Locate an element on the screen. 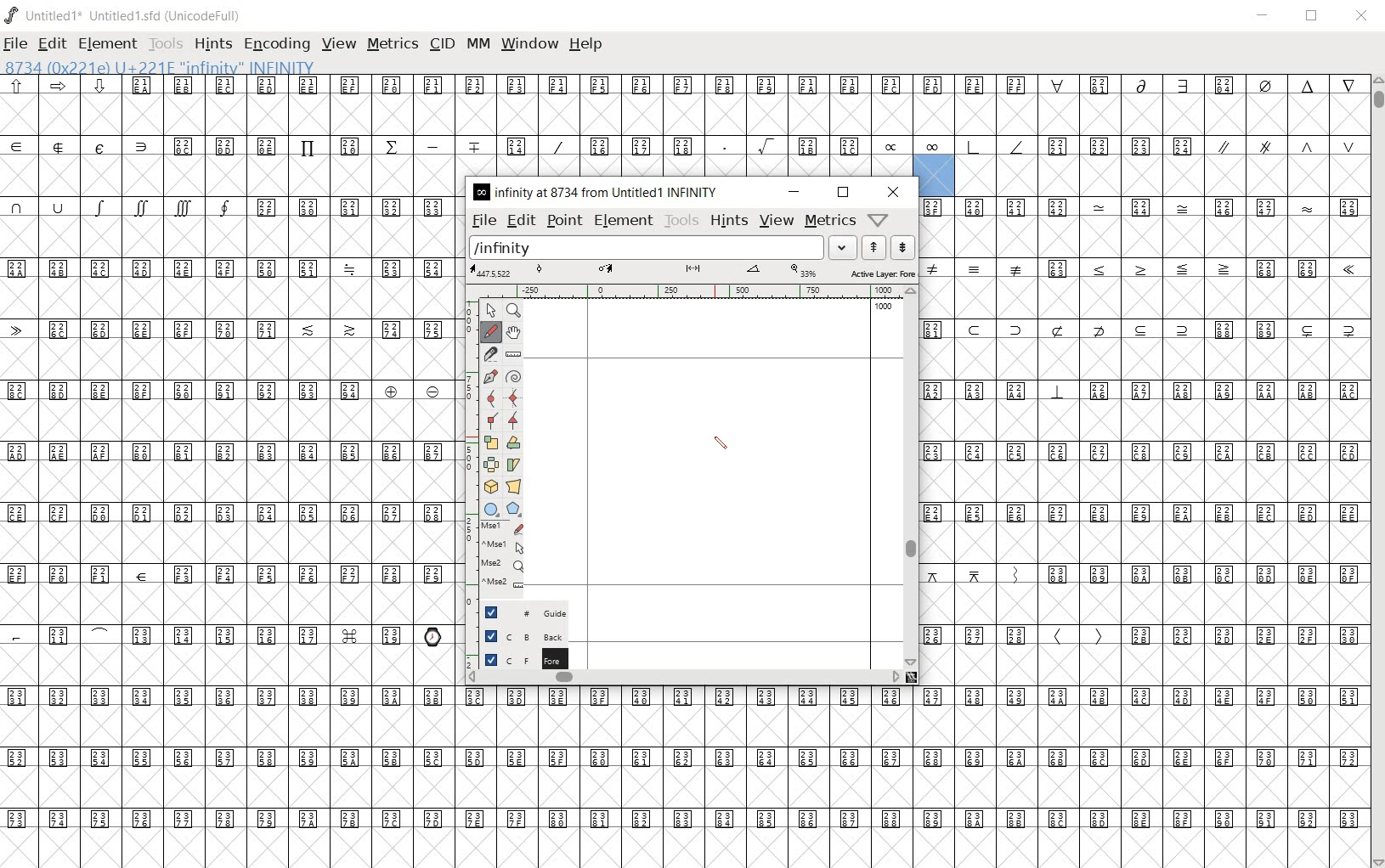 This screenshot has height=868, width=1385. hints is located at coordinates (213, 42).